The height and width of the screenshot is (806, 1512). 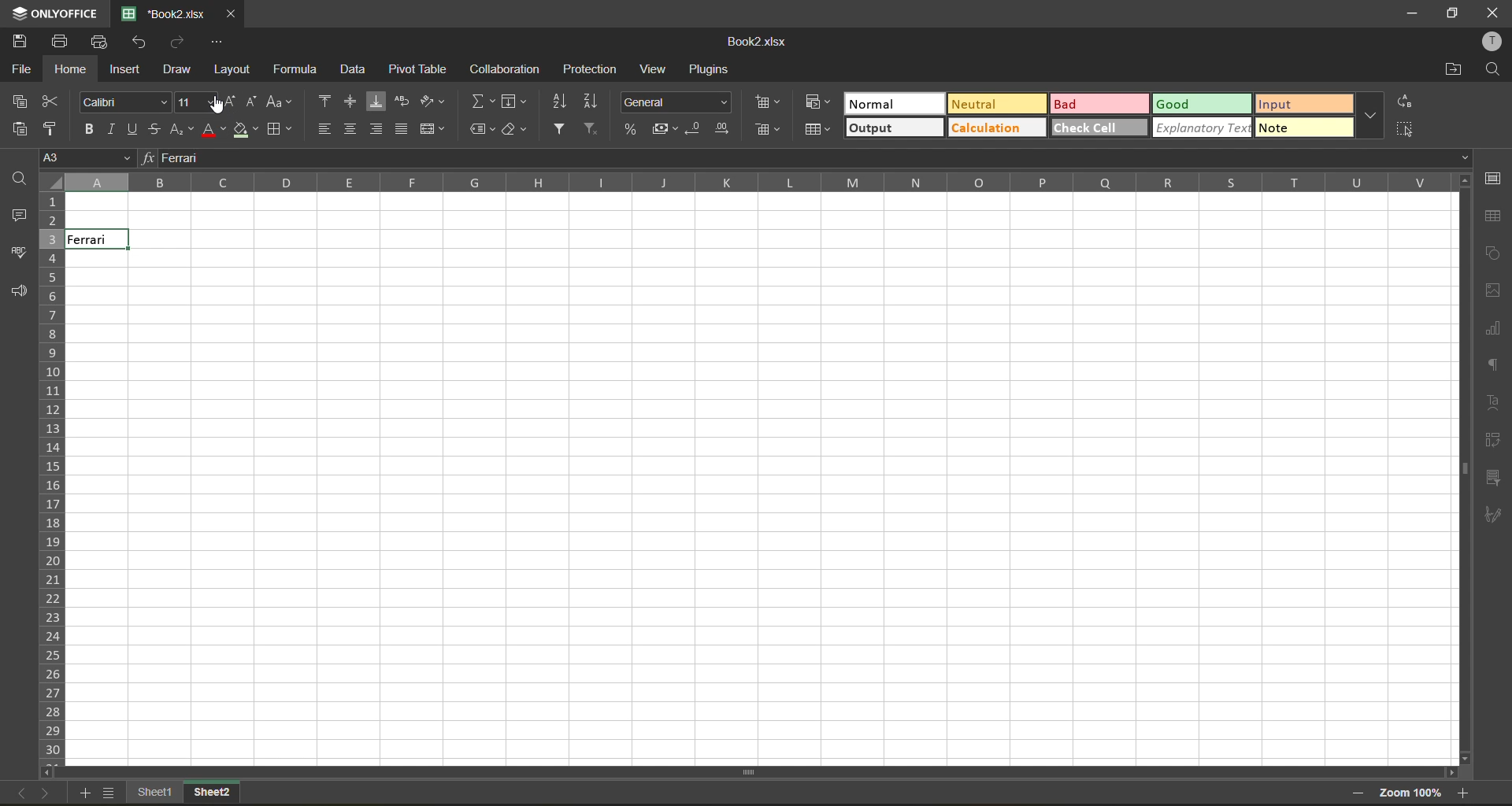 I want to click on find, so click(x=15, y=179).